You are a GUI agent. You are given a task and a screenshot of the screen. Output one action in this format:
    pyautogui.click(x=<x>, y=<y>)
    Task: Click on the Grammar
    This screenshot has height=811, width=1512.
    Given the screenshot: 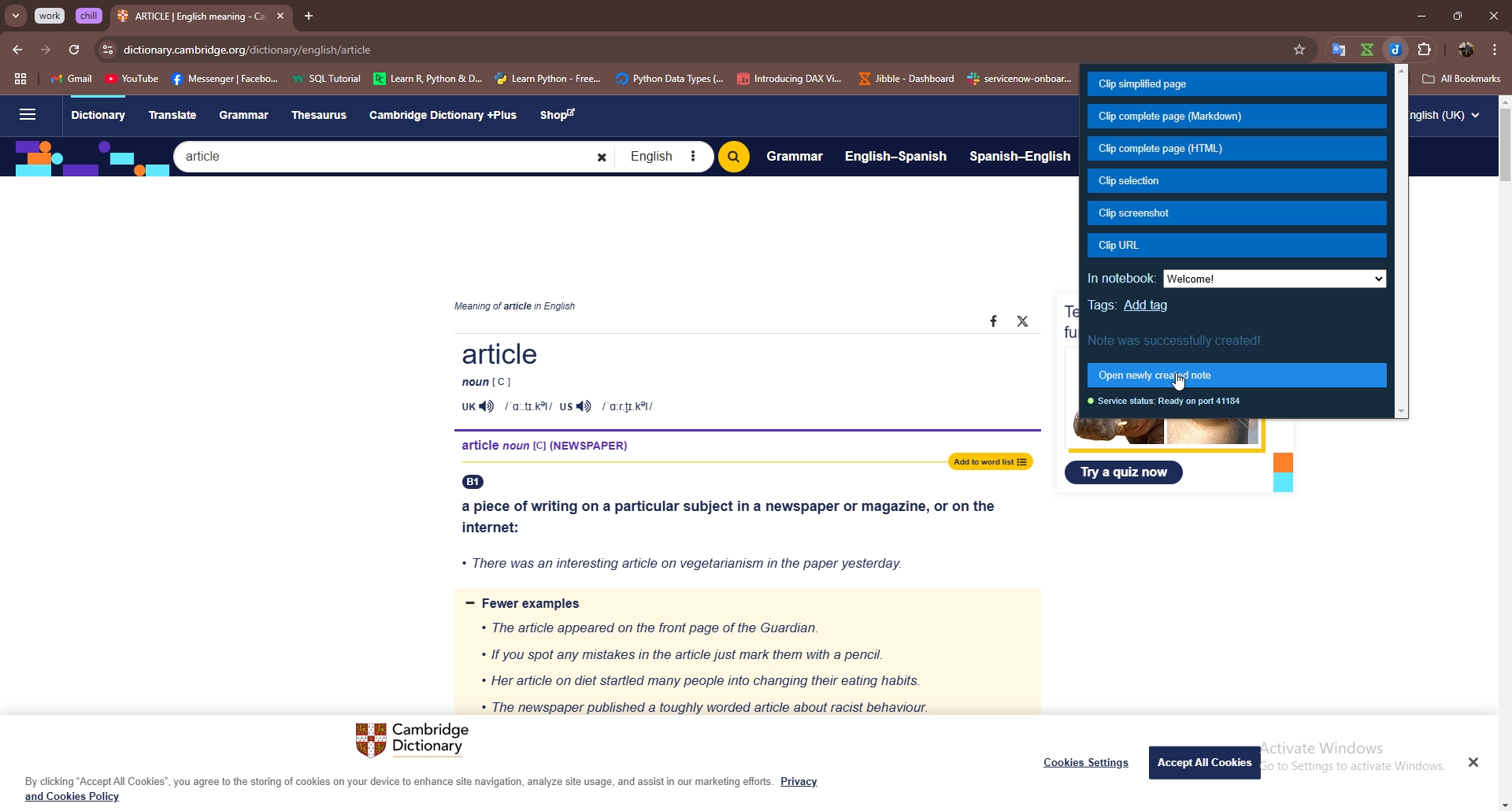 What is the action you would take?
    pyautogui.click(x=246, y=115)
    